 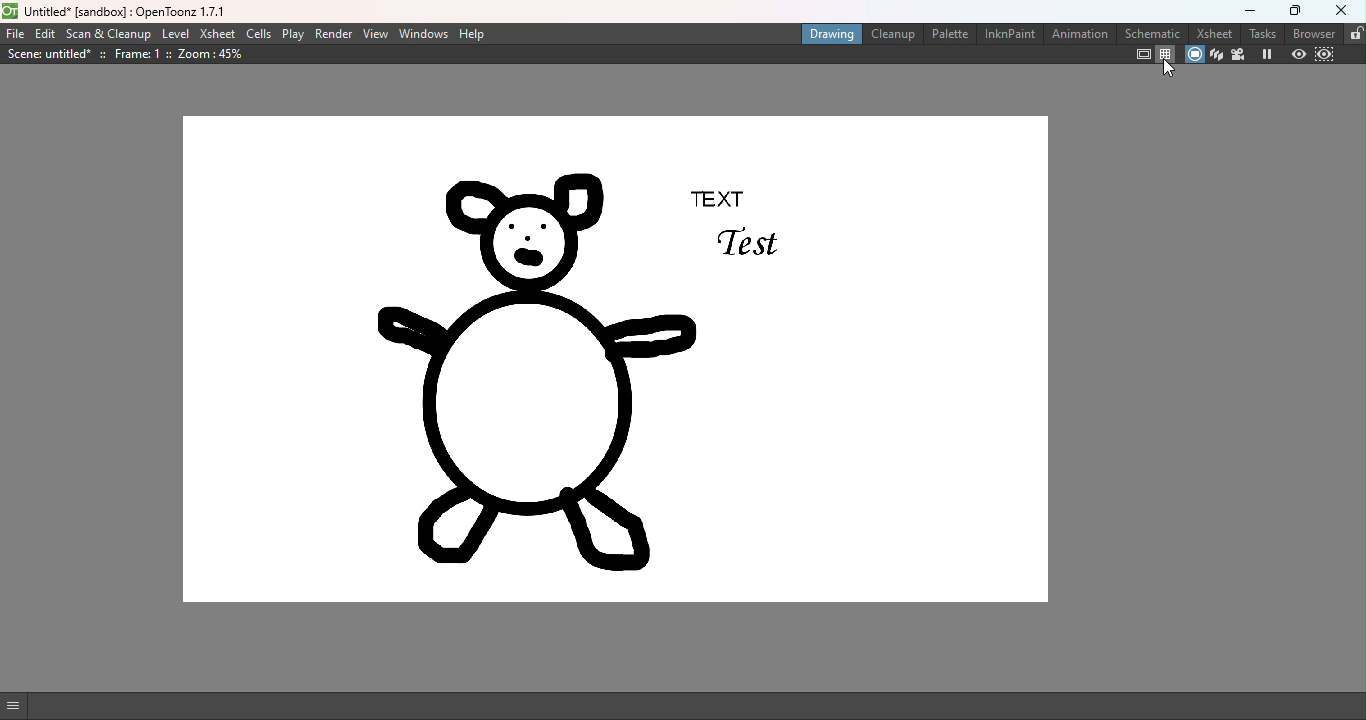 What do you see at coordinates (1243, 12) in the screenshot?
I see `Minimize` at bounding box center [1243, 12].